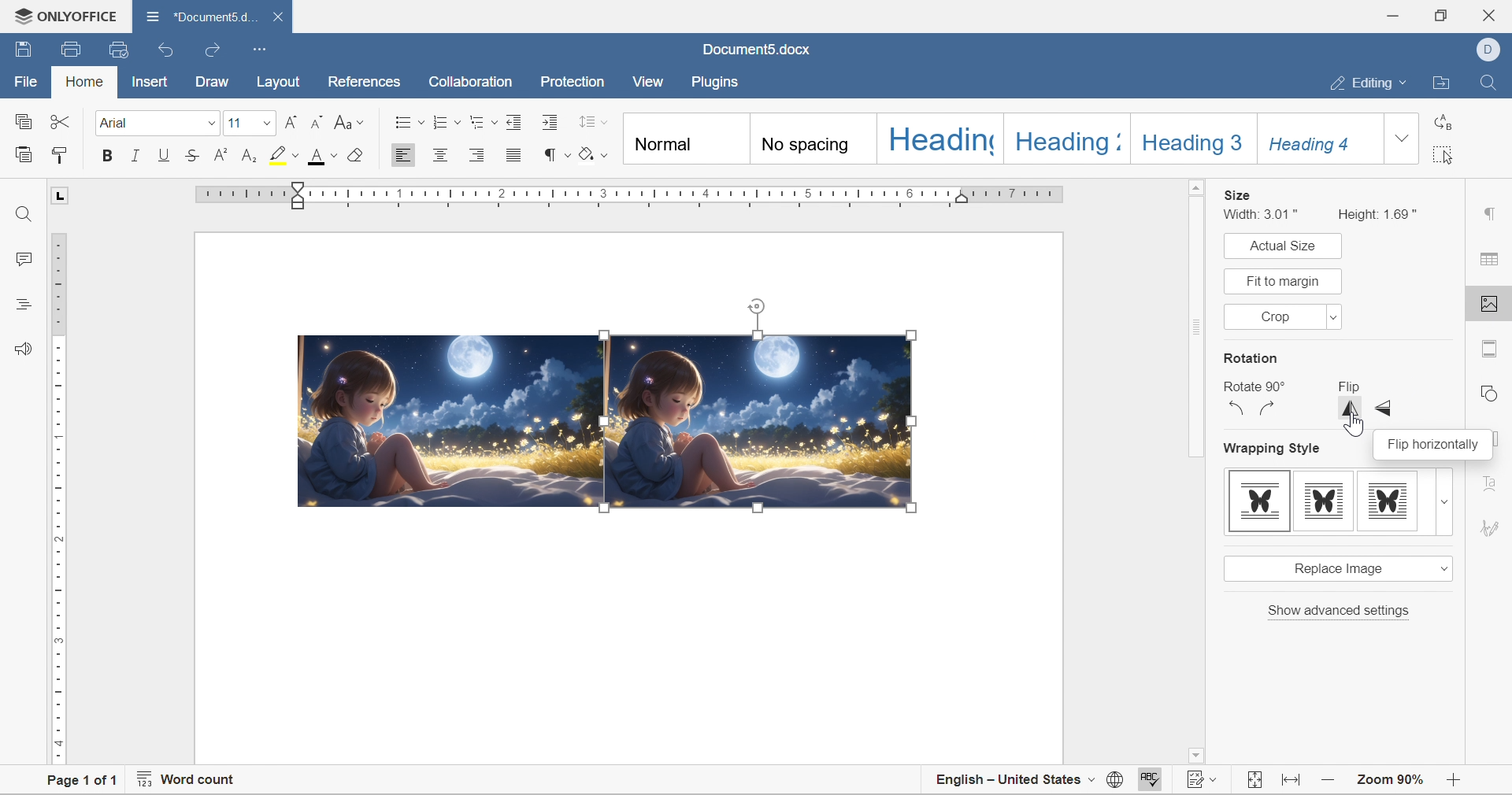 The height and width of the screenshot is (795, 1512). I want to click on zoom out, so click(1451, 783).